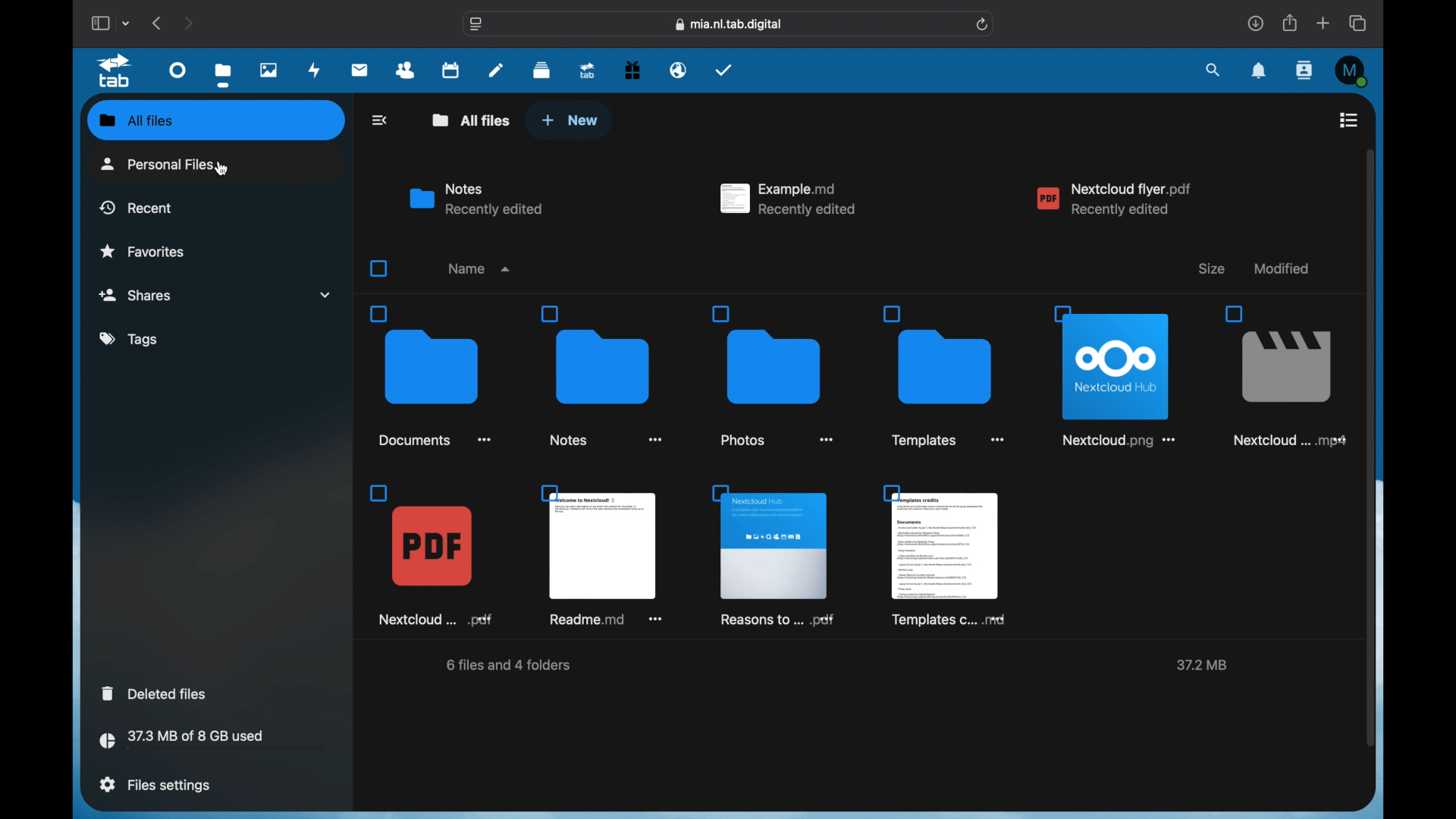 The image size is (1456, 819). I want to click on email, so click(679, 71).